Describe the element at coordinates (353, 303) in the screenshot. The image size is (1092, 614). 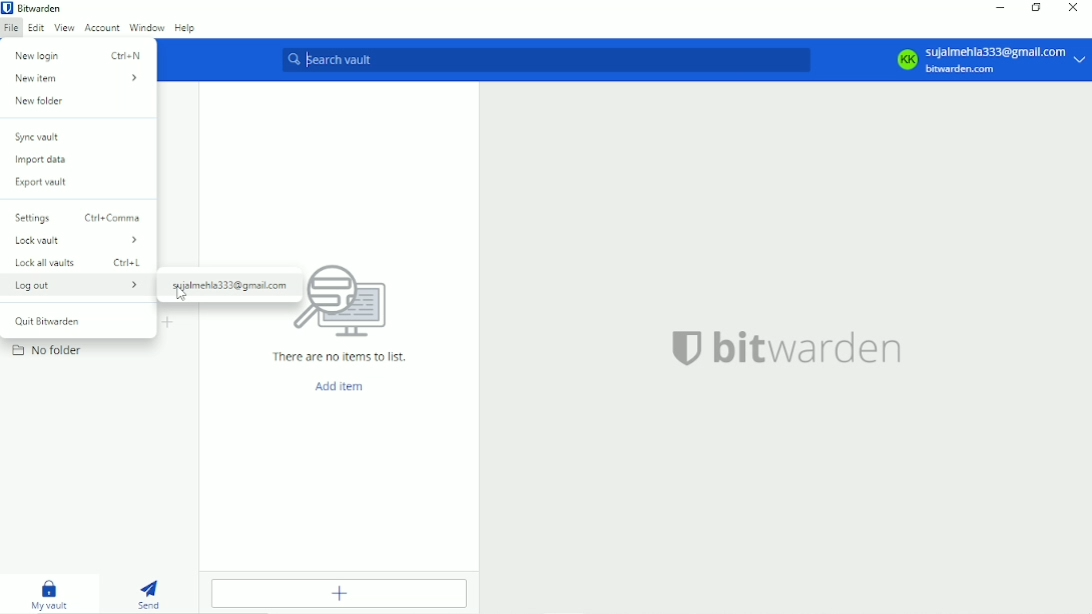
I see `computer icon` at that location.